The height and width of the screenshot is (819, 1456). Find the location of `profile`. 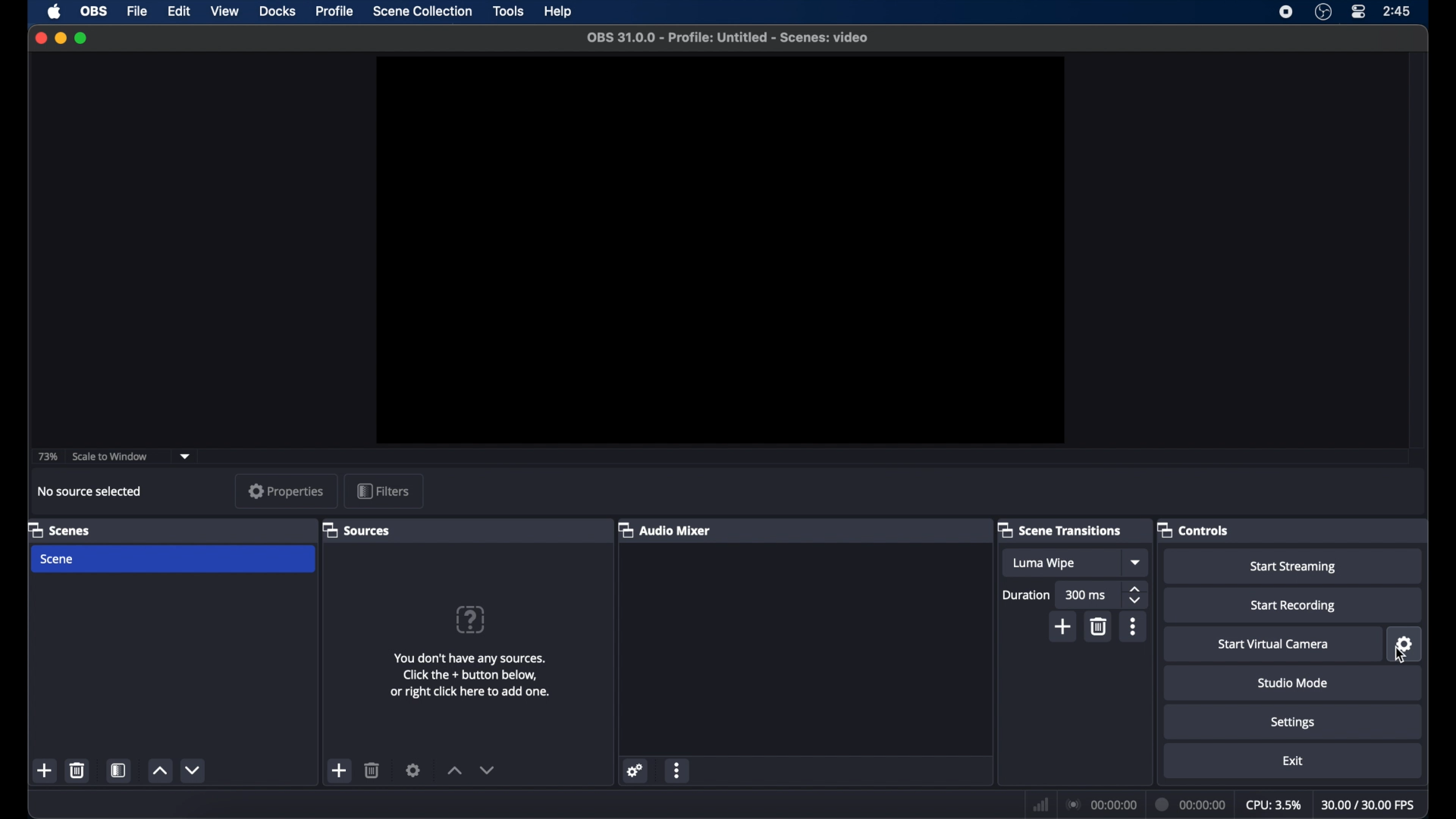

profile is located at coordinates (334, 12).